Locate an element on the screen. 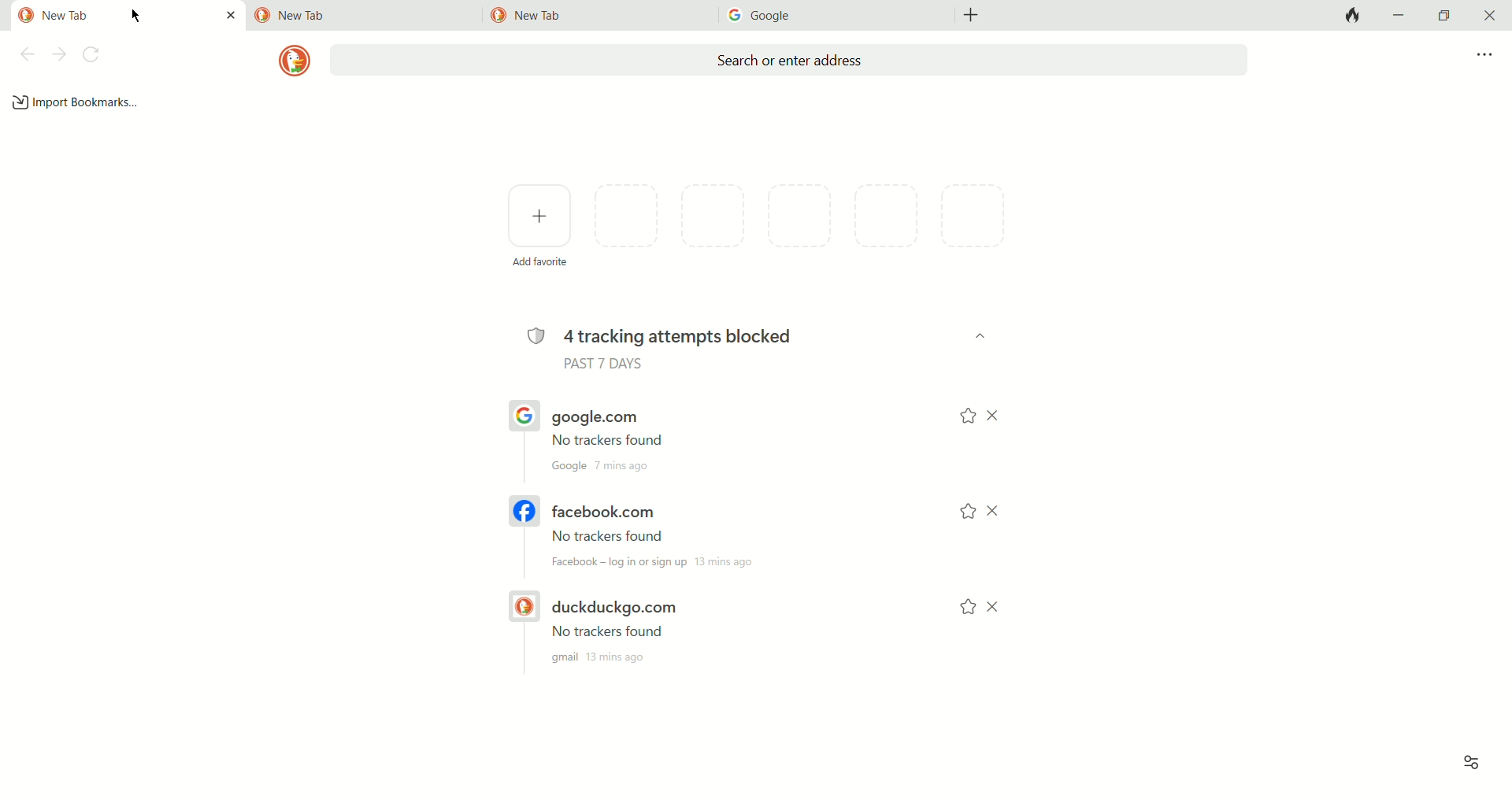 The height and width of the screenshot is (803, 1512). close is located at coordinates (998, 512).